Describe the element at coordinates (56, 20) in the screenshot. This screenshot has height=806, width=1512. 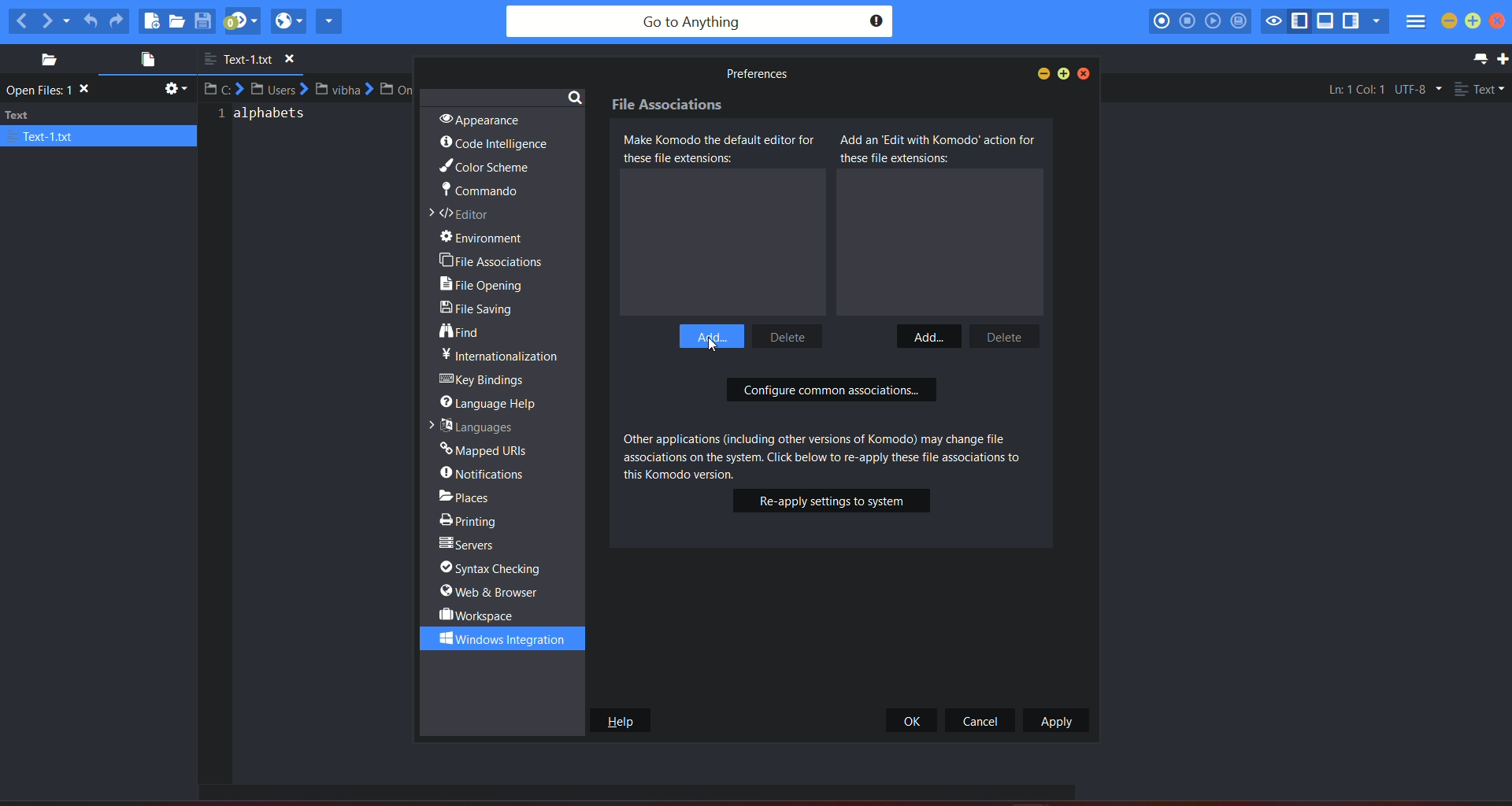
I see `next` at that location.